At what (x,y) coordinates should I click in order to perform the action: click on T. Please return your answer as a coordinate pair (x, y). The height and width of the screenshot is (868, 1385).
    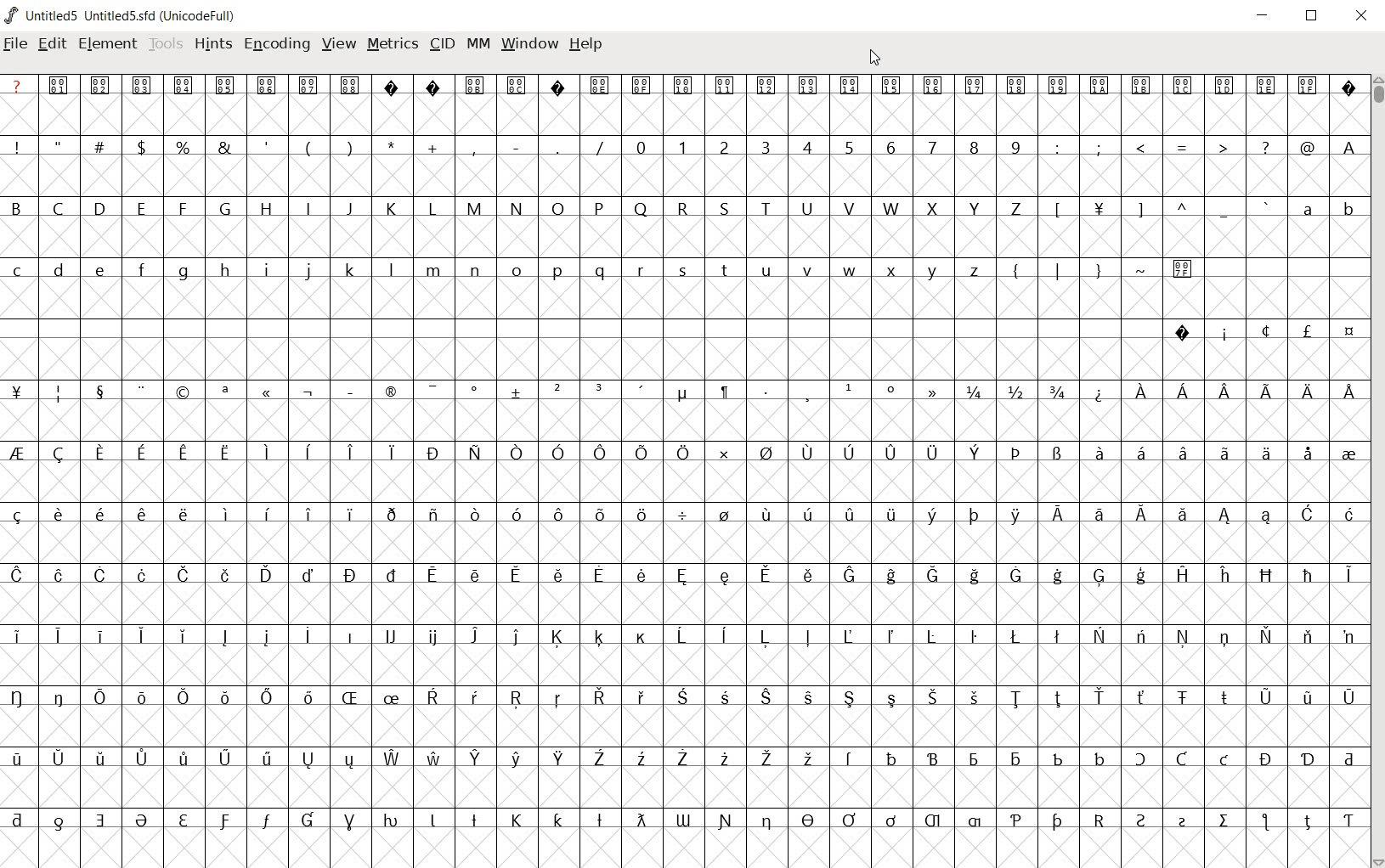
    Looking at the image, I should click on (766, 207).